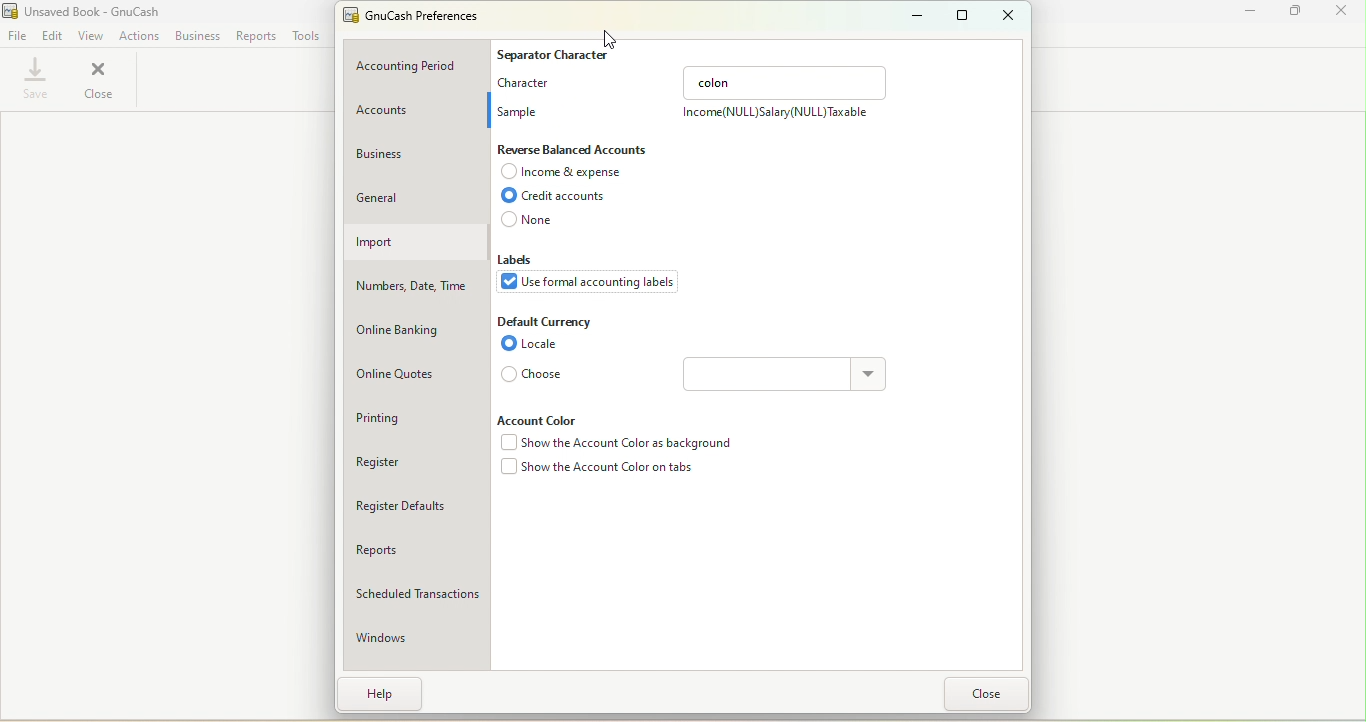  Describe the element at coordinates (613, 444) in the screenshot. I see `Show the account color as background` at that location.